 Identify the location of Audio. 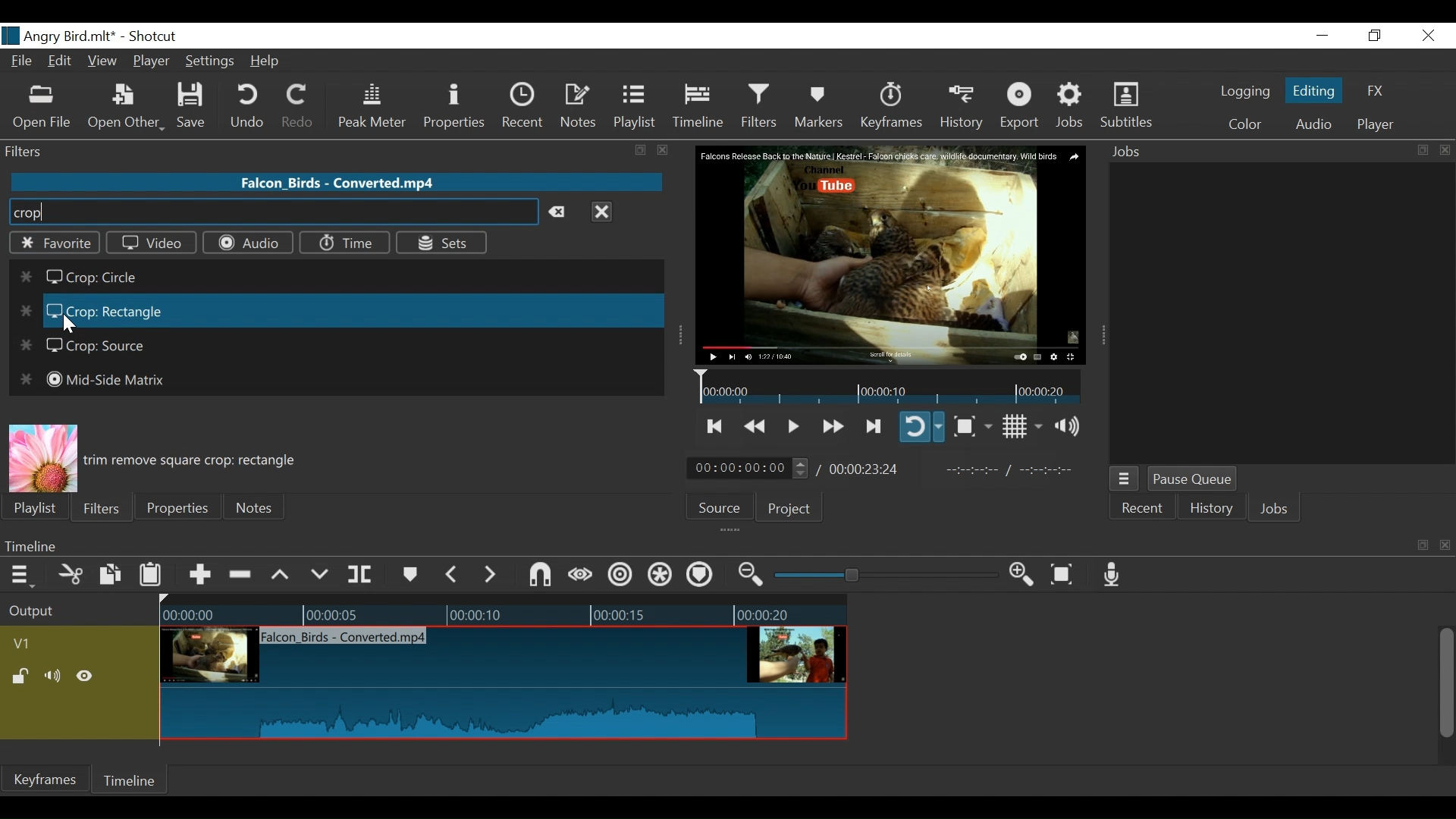
(247, 243).